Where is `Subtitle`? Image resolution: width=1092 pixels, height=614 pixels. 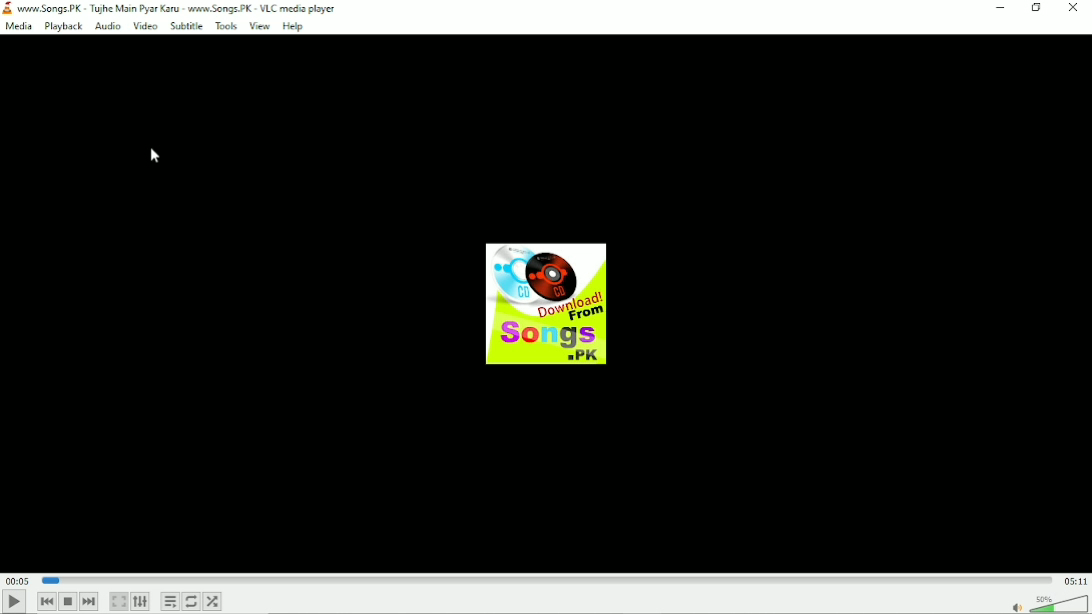
Subtitle is located at coordinates (186, 25).